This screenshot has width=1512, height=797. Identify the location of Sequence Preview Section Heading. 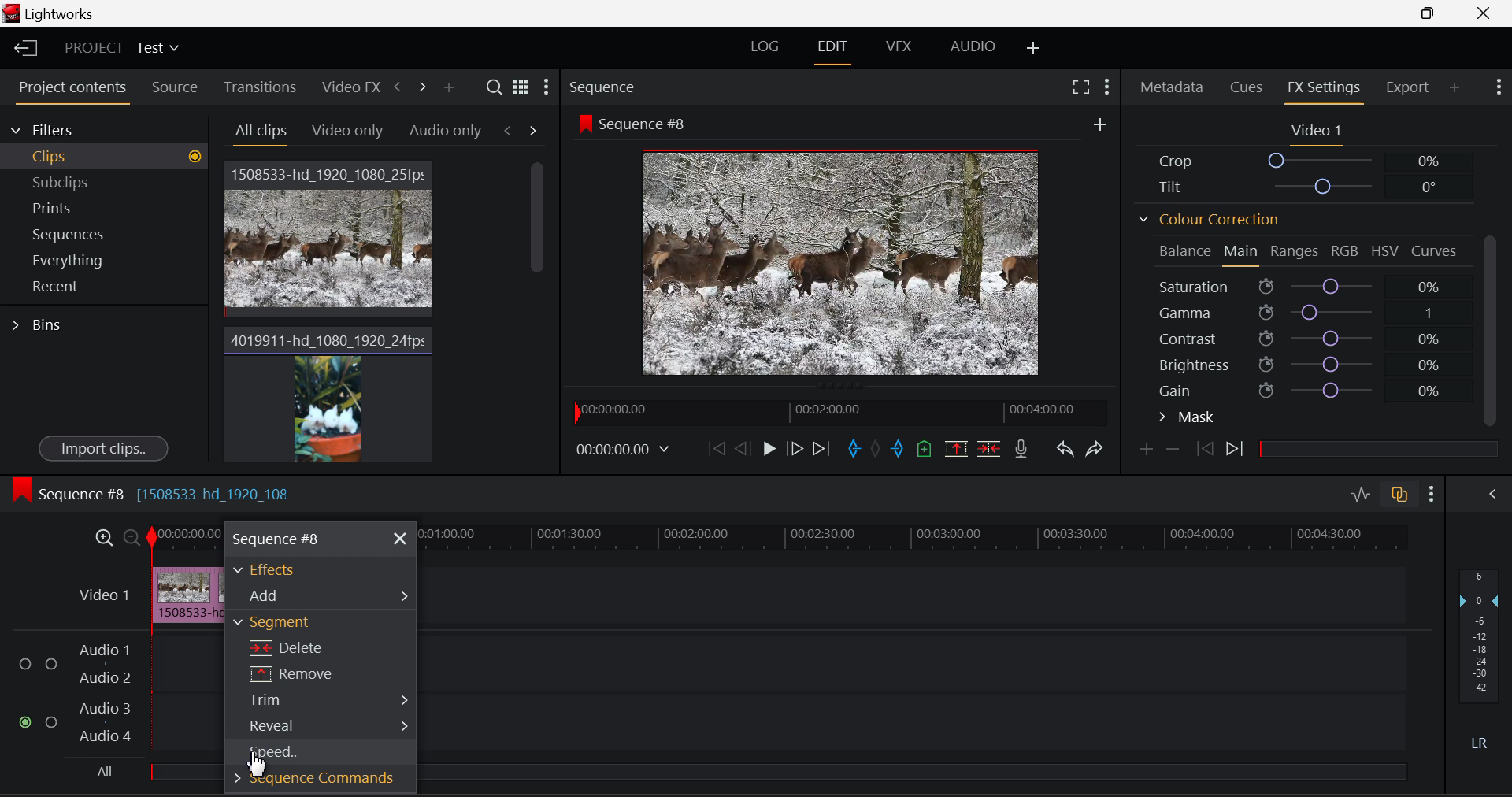
(605, 87).